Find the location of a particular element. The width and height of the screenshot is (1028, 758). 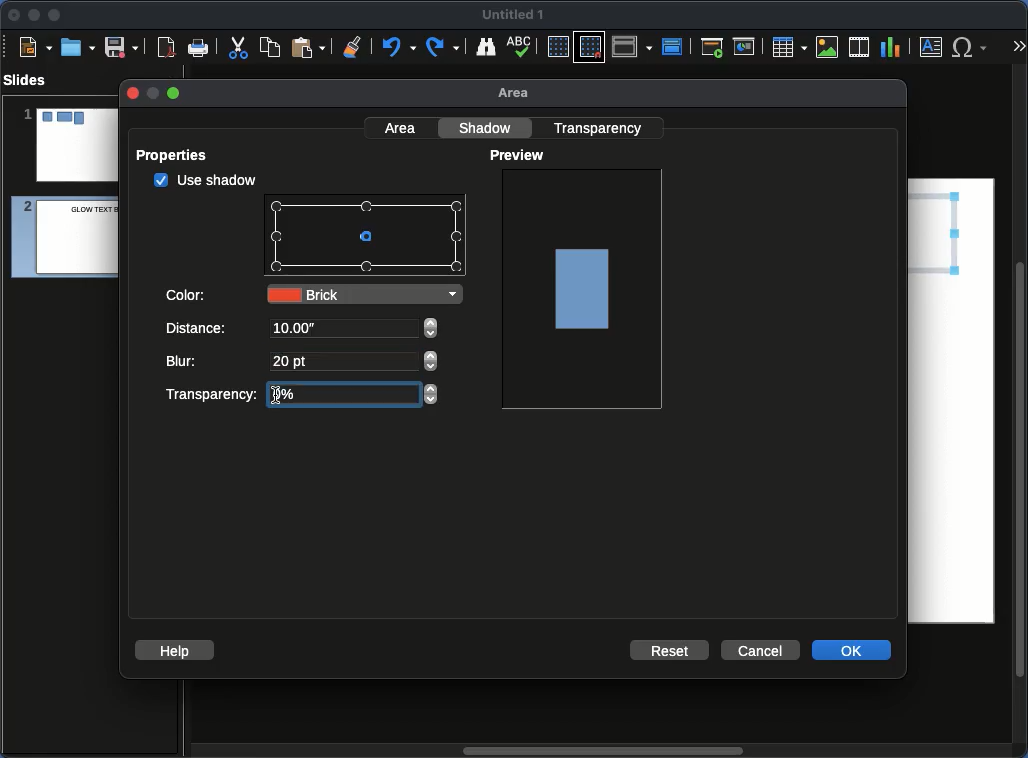

Properties is located at coordinates (178, 155).